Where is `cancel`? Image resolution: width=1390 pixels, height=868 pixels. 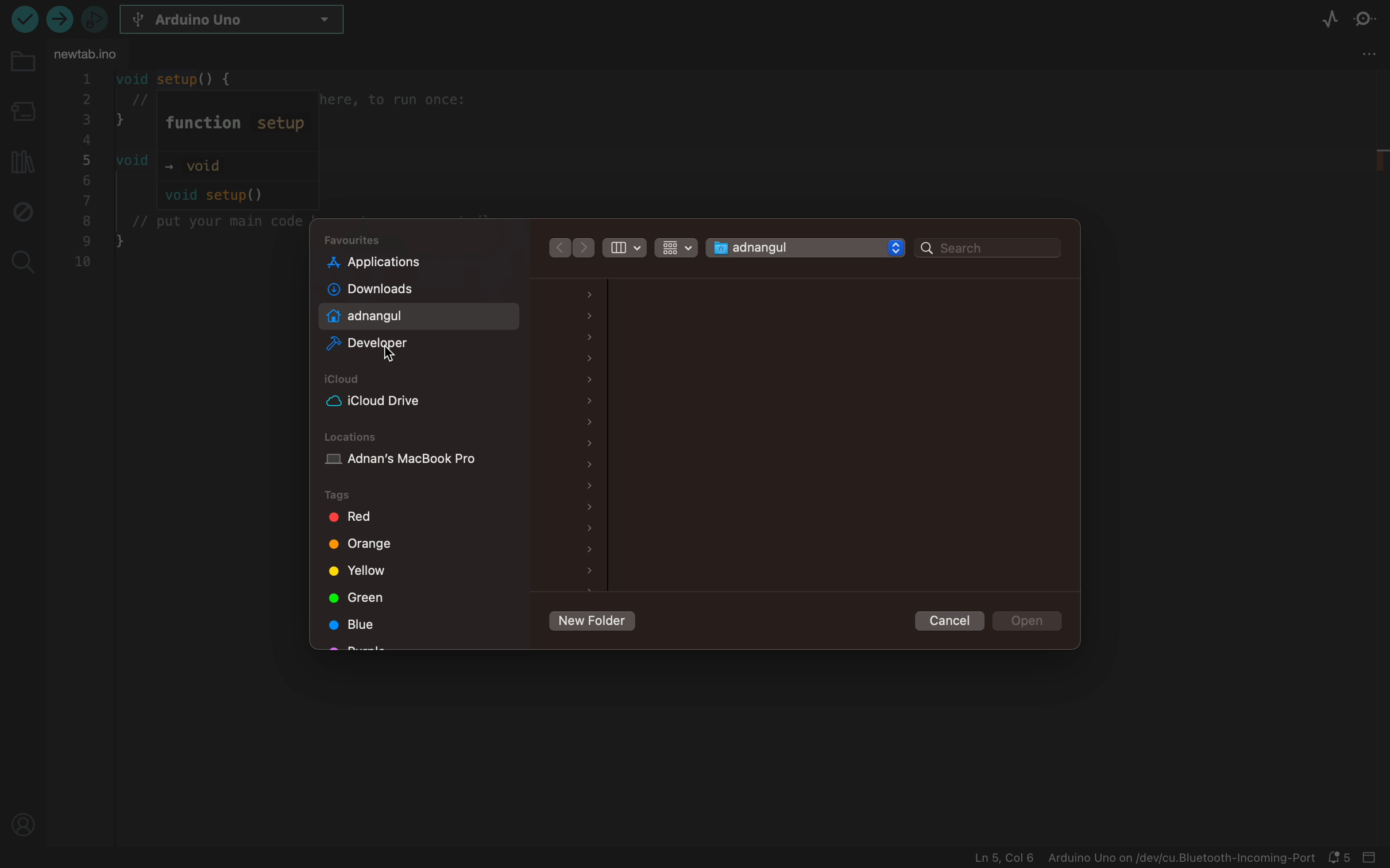
cancel is located at coordinates (951, 621).